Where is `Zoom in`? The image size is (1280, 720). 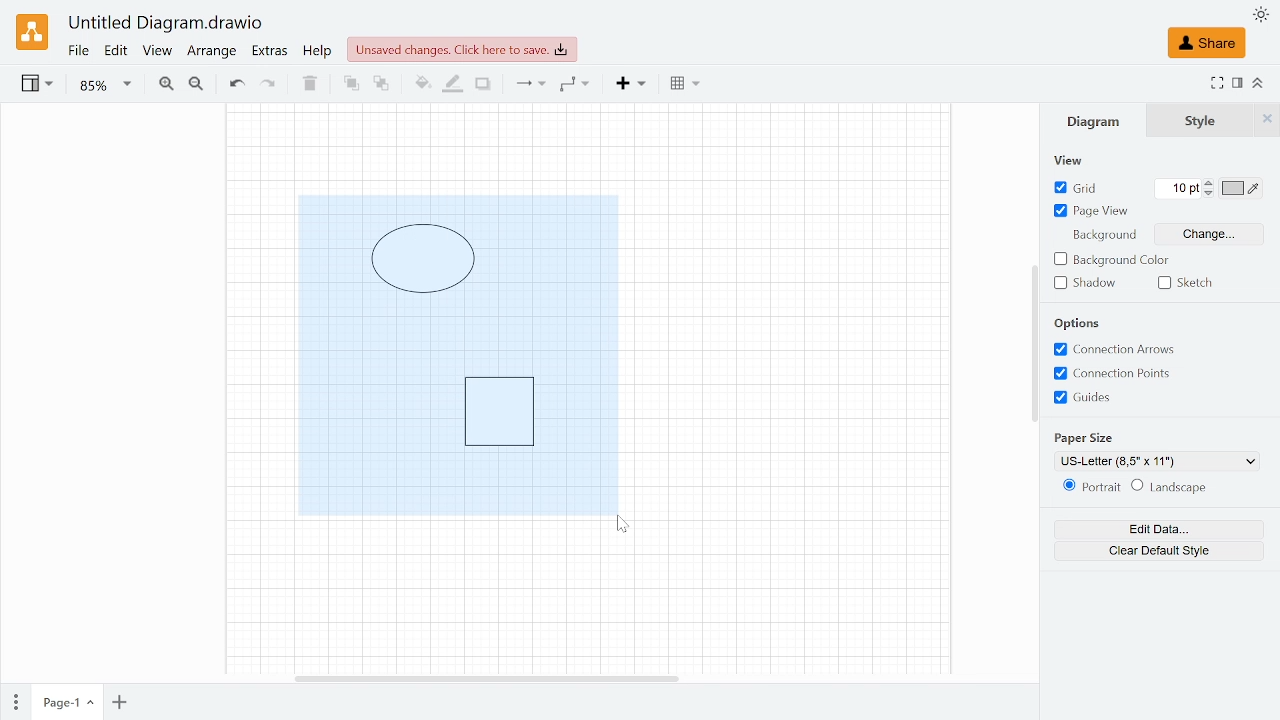 Zoom in is located at coordinates (166, 84).